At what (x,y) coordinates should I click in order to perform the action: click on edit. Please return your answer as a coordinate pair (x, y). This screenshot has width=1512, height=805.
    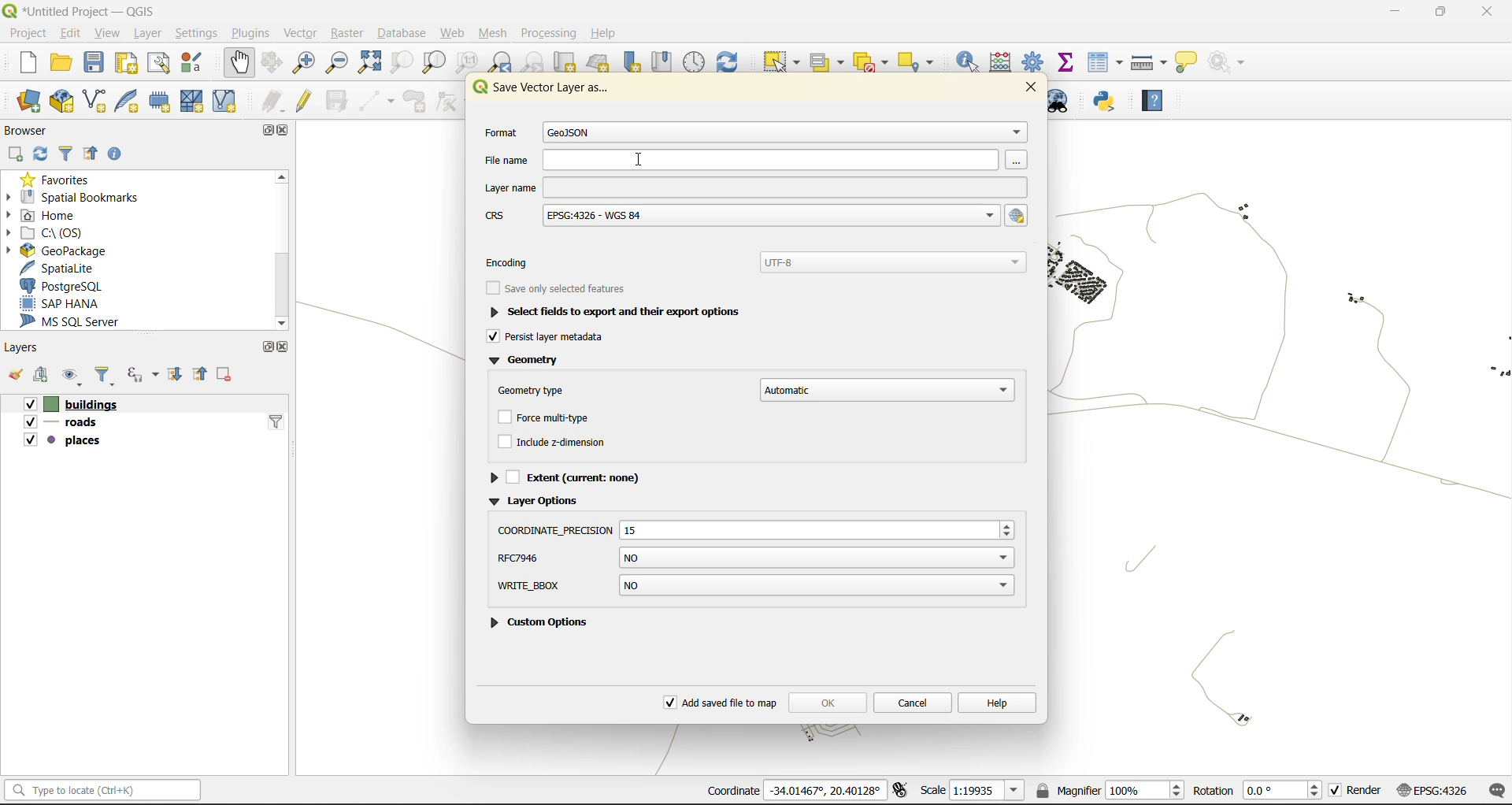
    Looking at the image, I should click on (70, 32).